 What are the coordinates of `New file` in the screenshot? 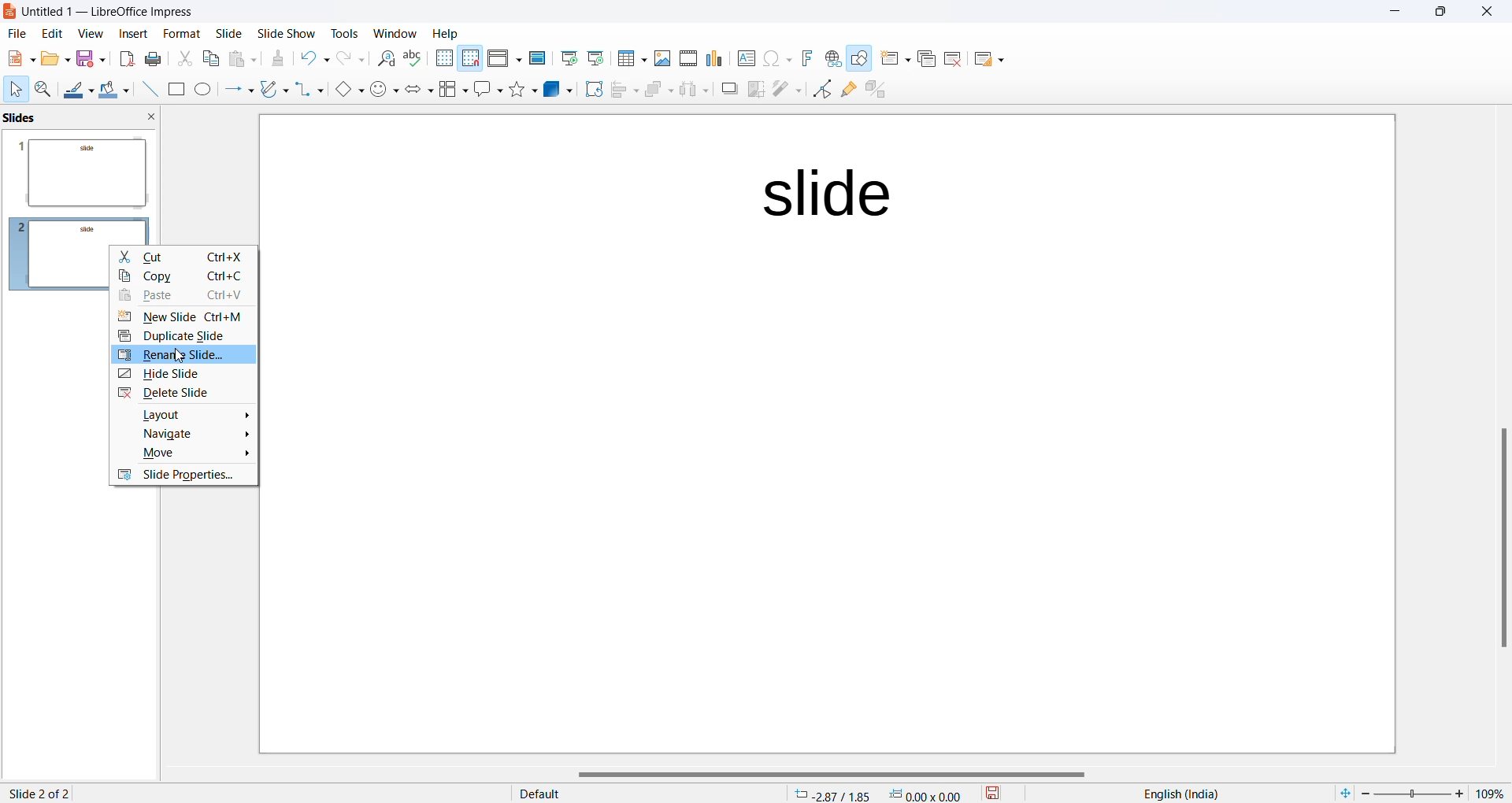 It's located at (18, 57).